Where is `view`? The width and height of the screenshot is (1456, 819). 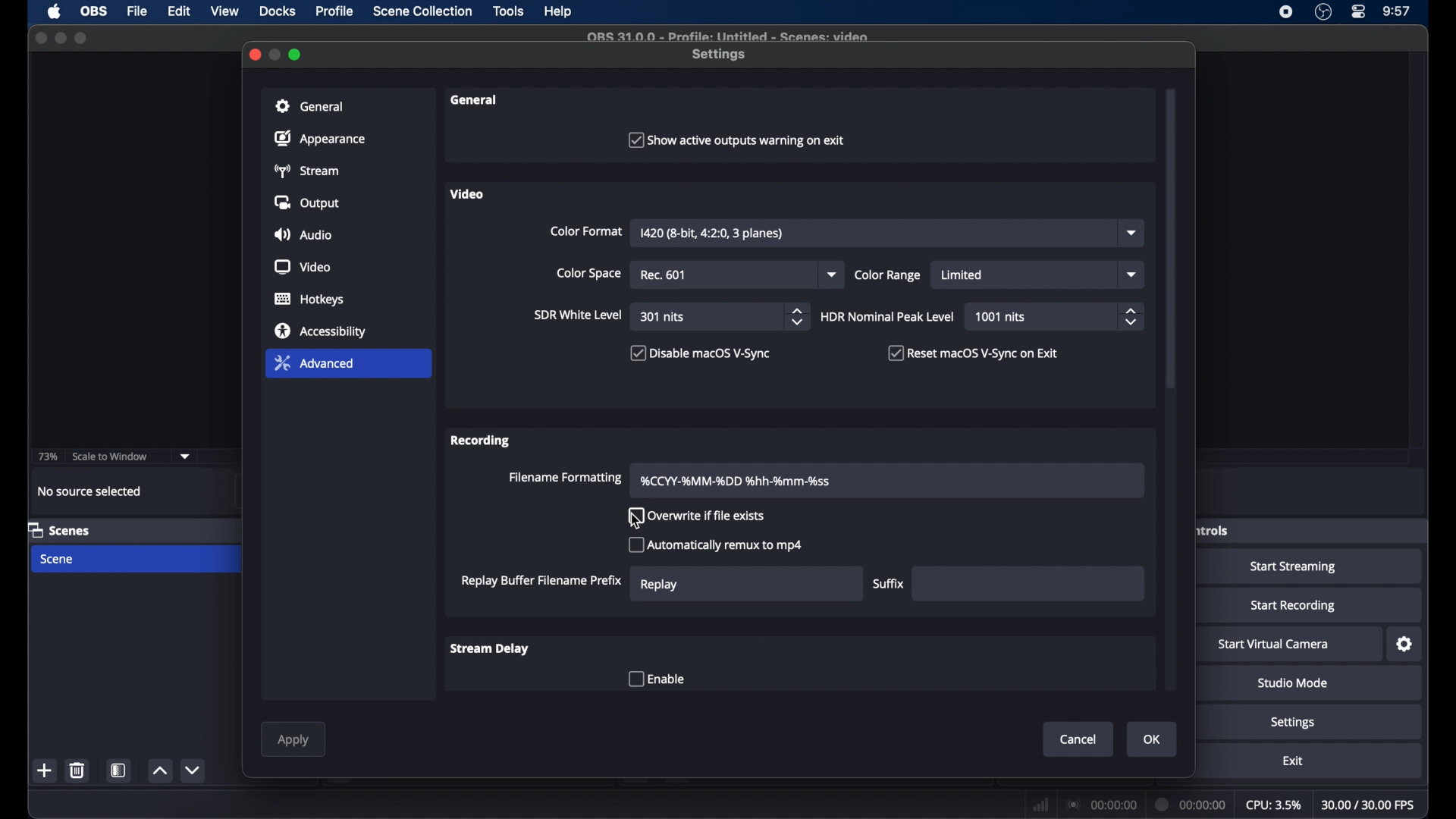 view is located at coordinates (224, 11).